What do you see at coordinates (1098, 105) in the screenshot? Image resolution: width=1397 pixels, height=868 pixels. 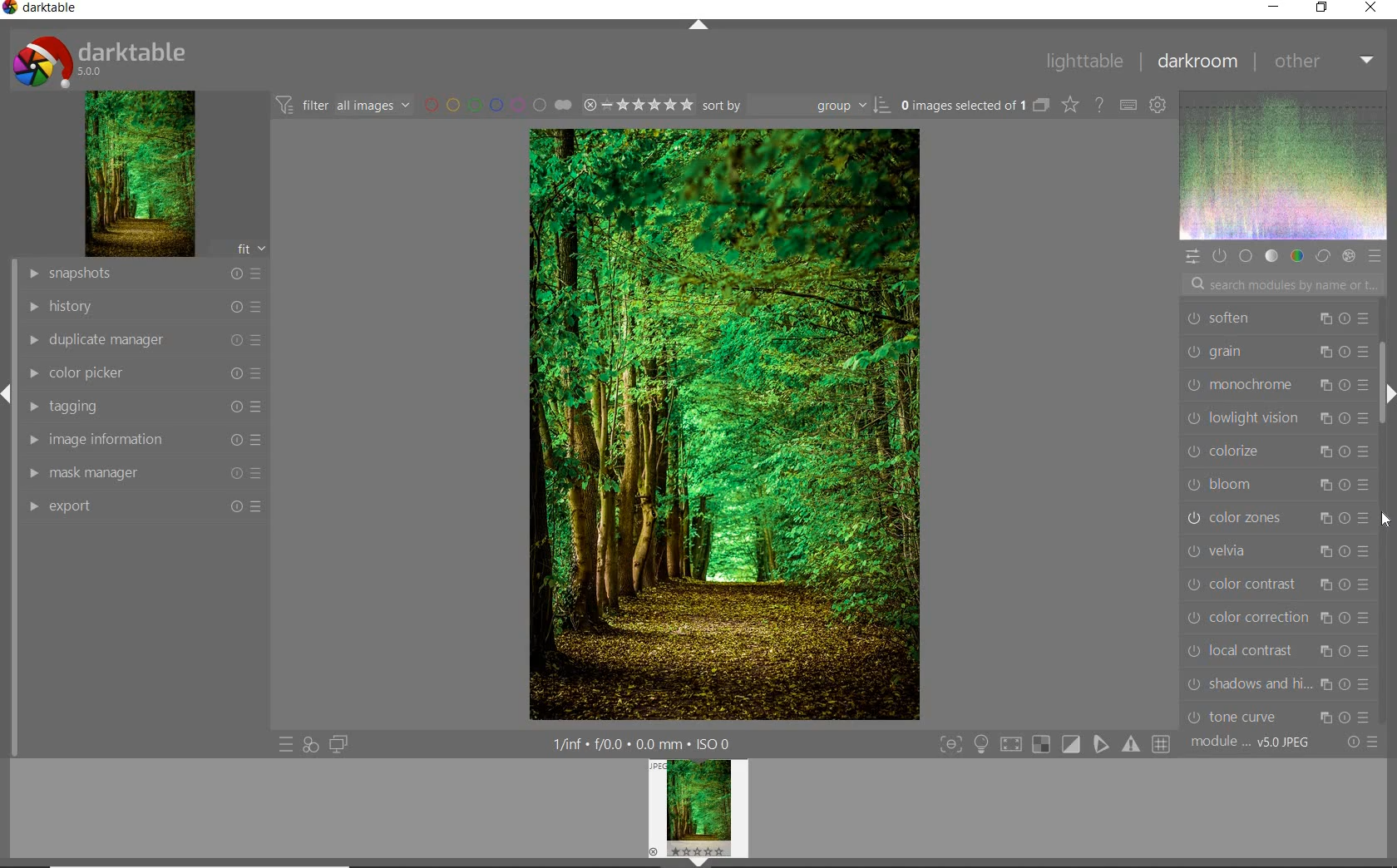 I see `ENABLE FOR ONLINE HELP` at bounding box center [1098, 105].